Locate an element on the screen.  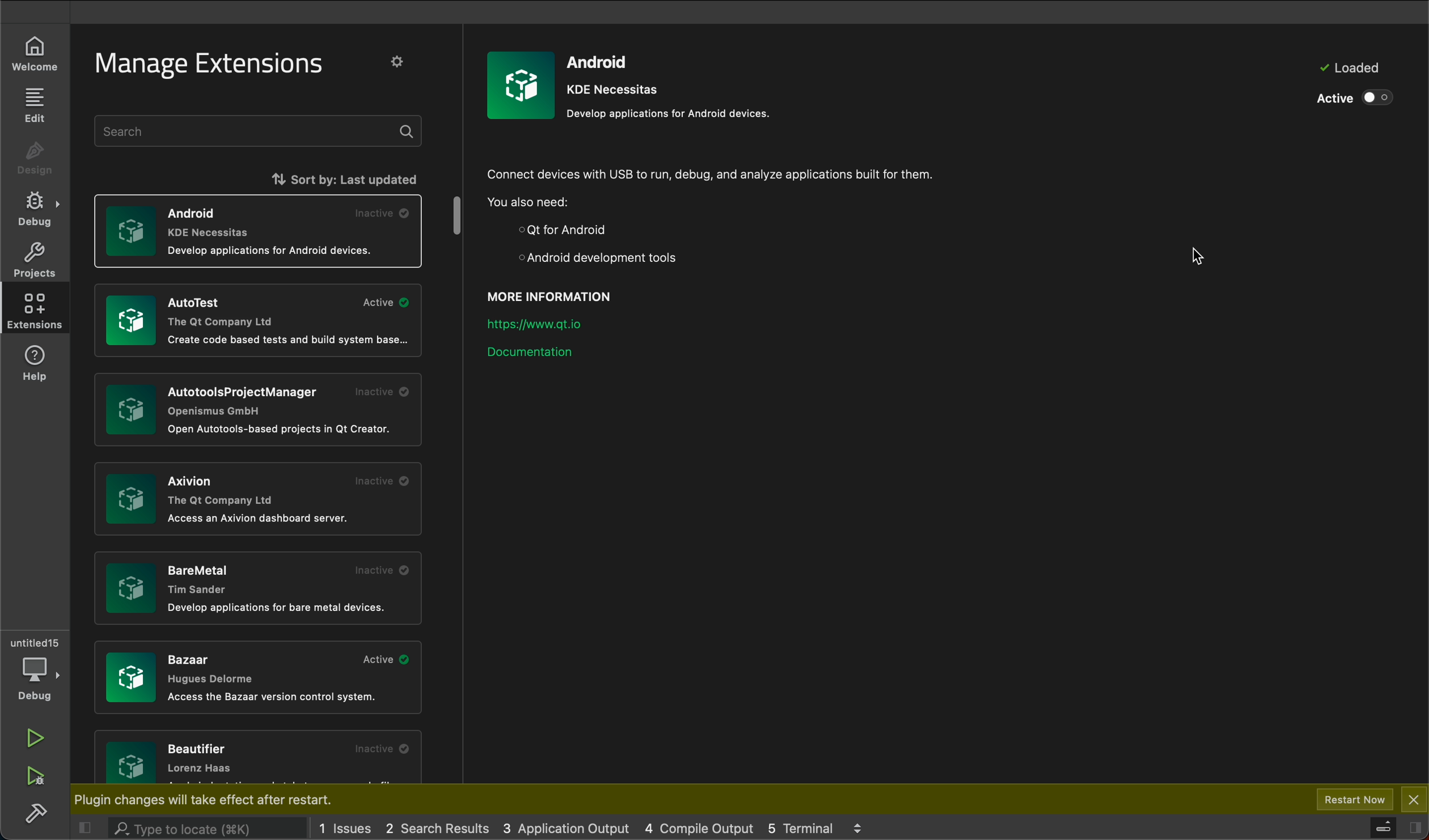
description is located at coordinates (723, 215).